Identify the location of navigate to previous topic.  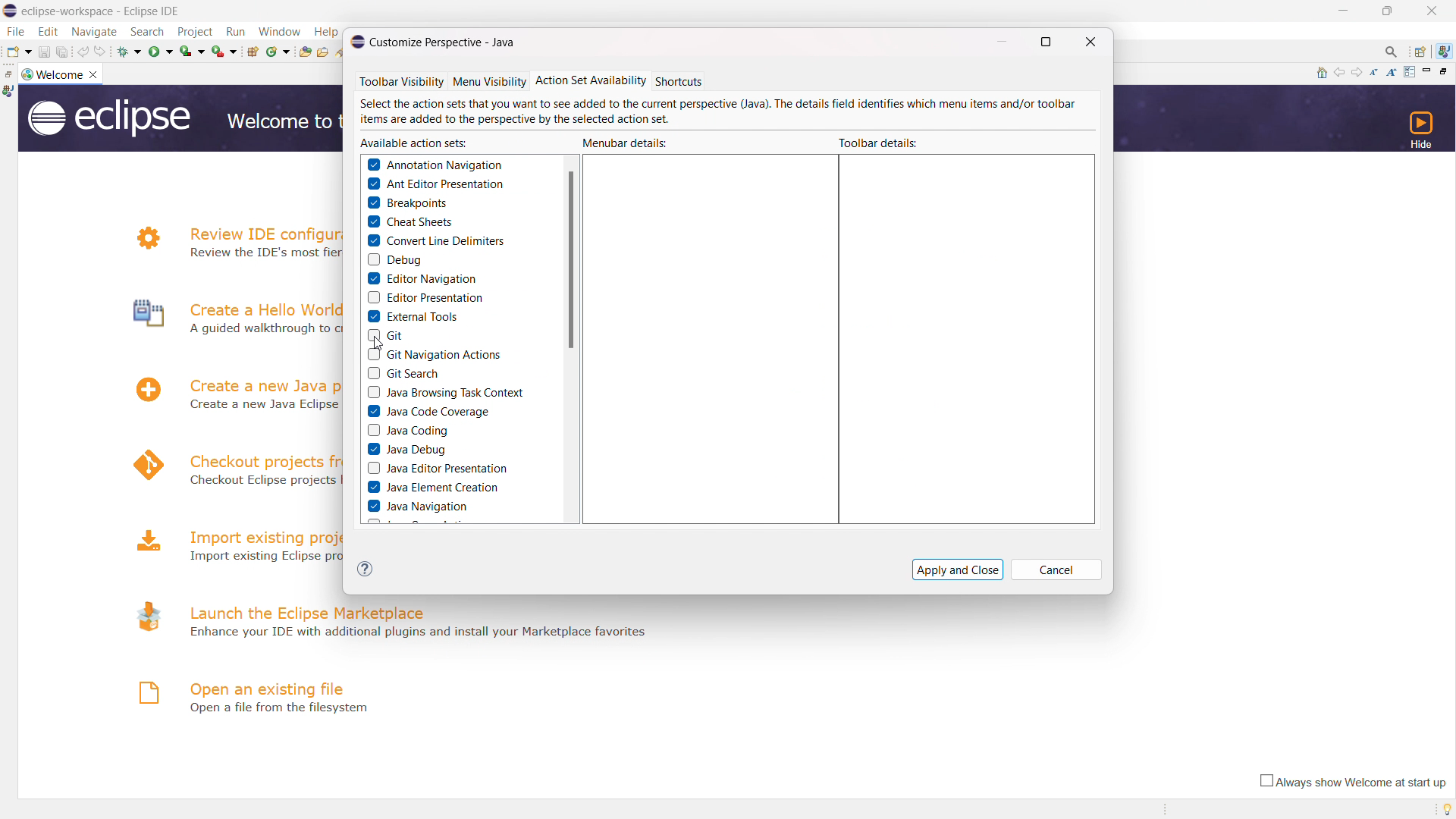
(1339, 73).